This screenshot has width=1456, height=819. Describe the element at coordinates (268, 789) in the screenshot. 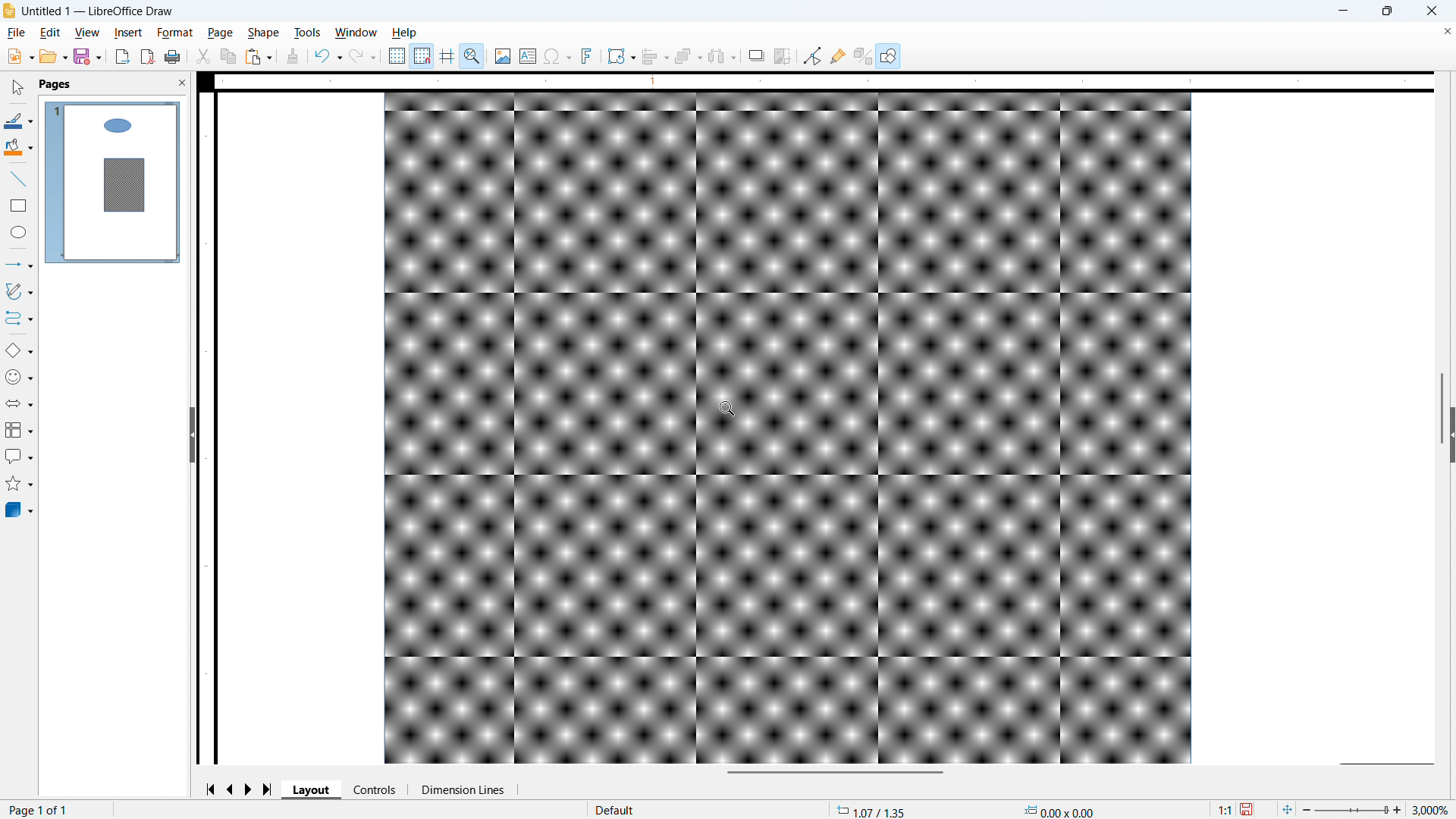

I see `Go to last page ` at that location.